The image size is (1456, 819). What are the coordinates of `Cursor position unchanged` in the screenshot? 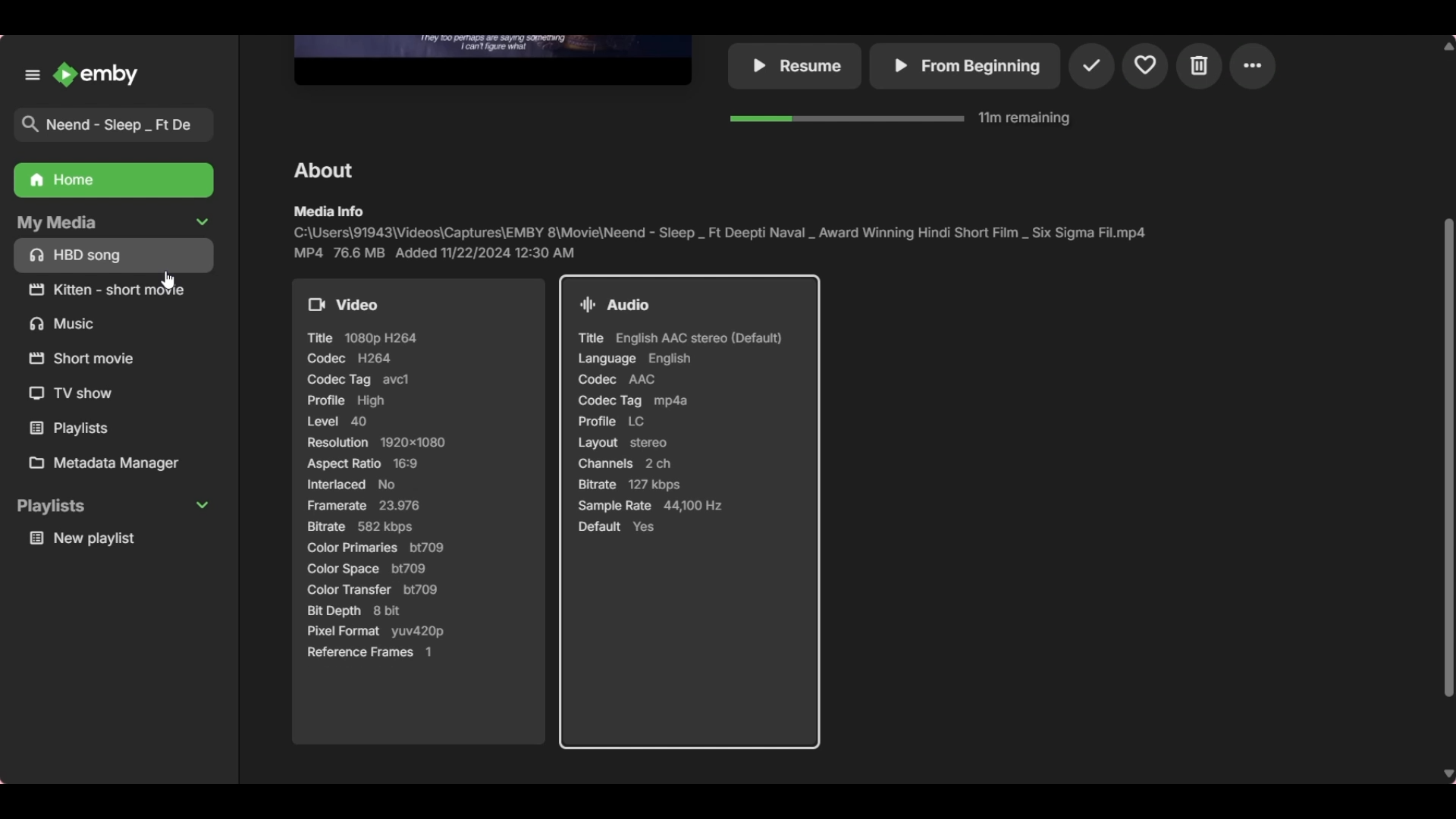 It's located at (167, 281).